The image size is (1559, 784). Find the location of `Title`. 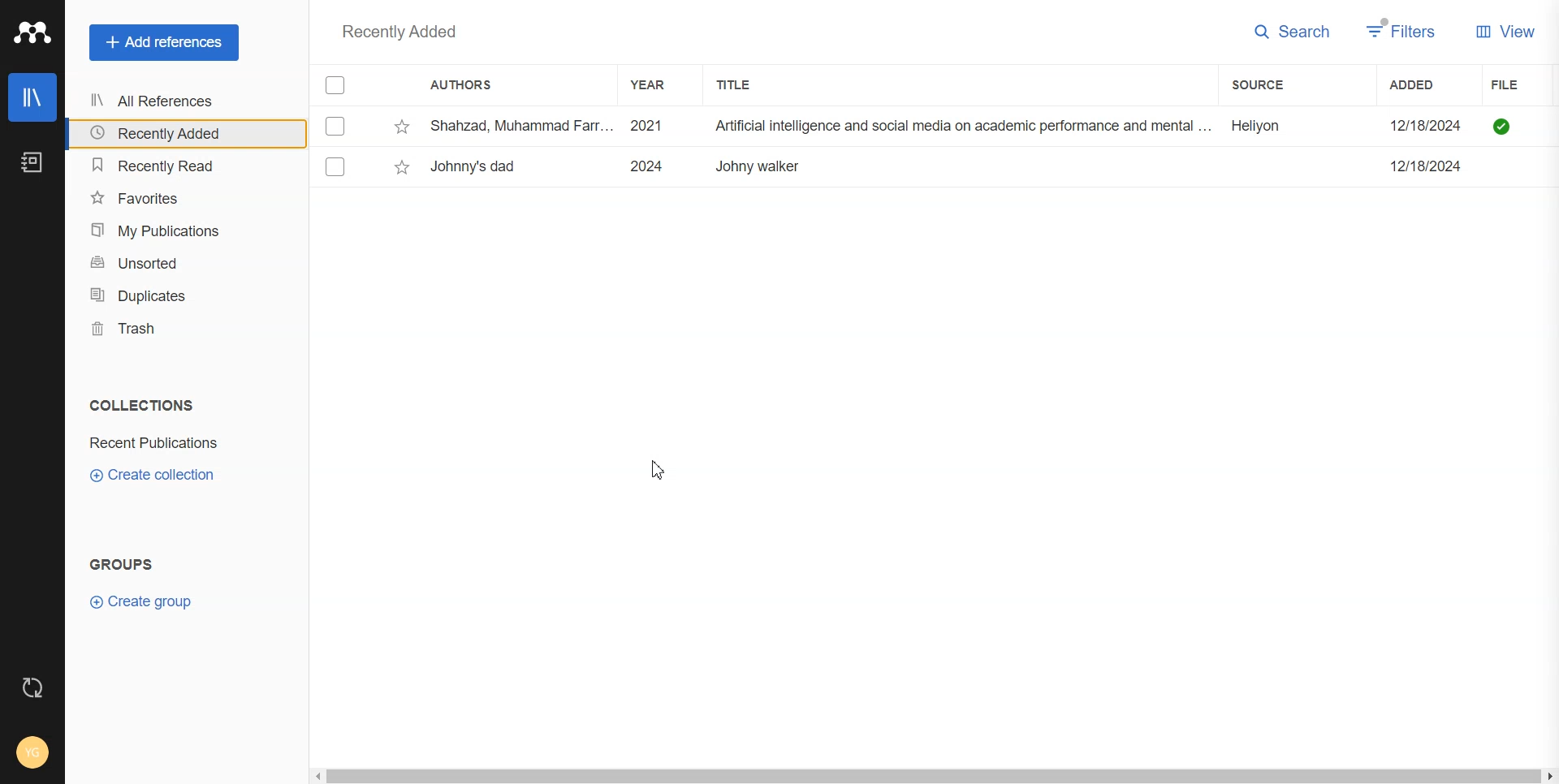

Title is located at coordinates (748, 84).